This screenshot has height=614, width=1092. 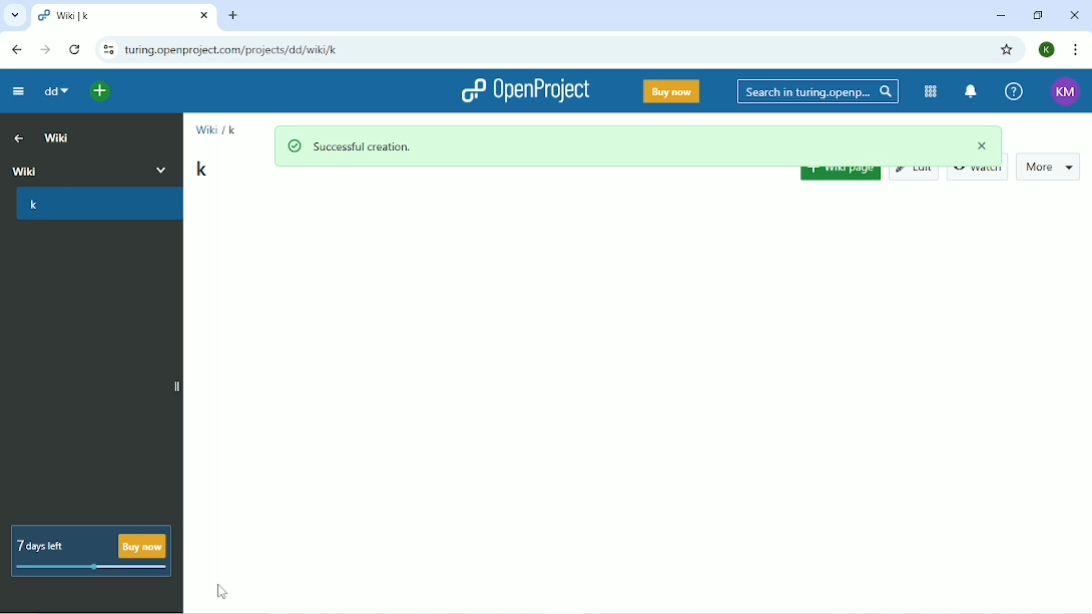 I want to click on Successful creation., so click(x=638, y=143).